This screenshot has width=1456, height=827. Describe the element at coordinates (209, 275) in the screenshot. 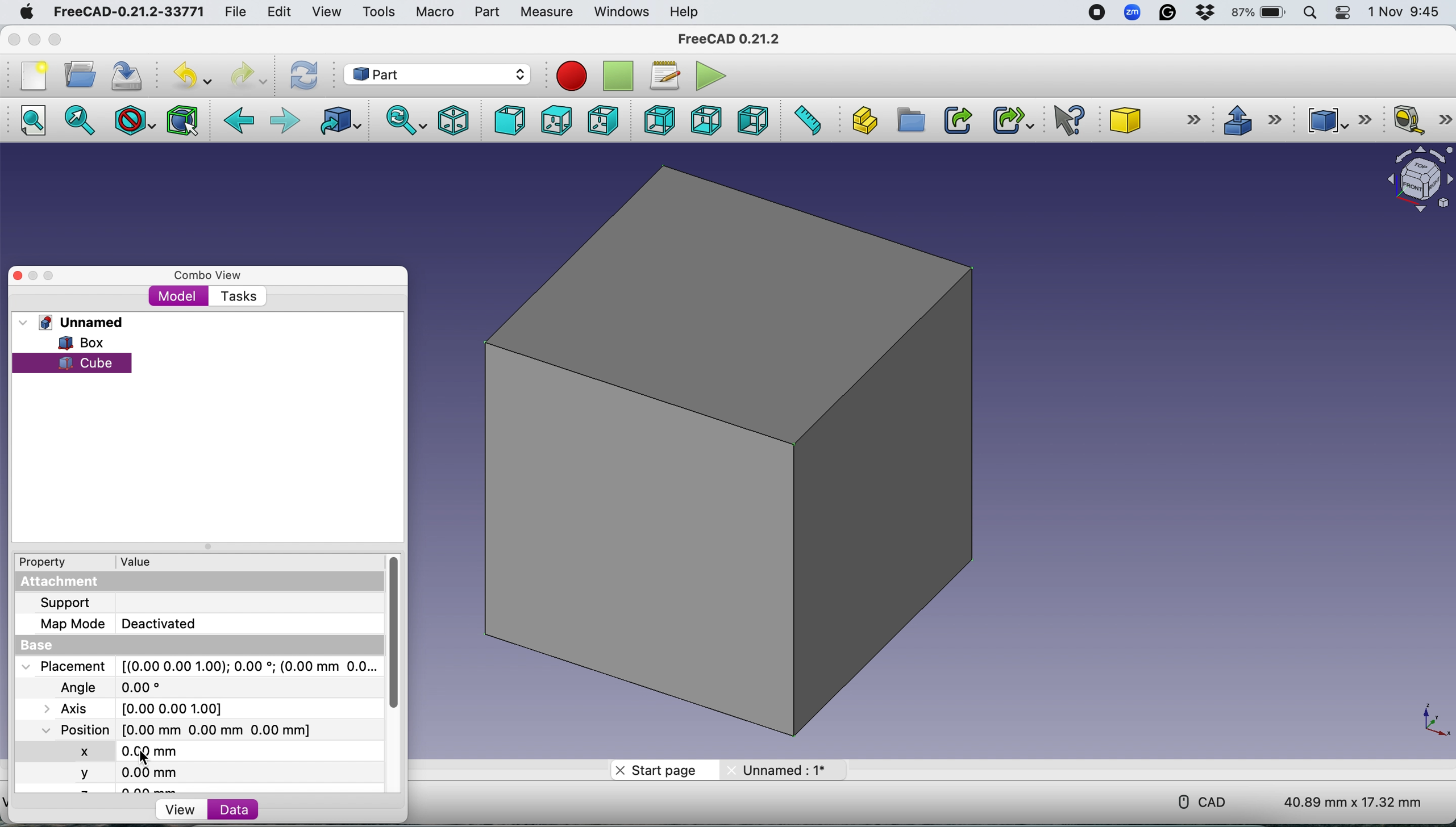

I see `Combo view` at that location.